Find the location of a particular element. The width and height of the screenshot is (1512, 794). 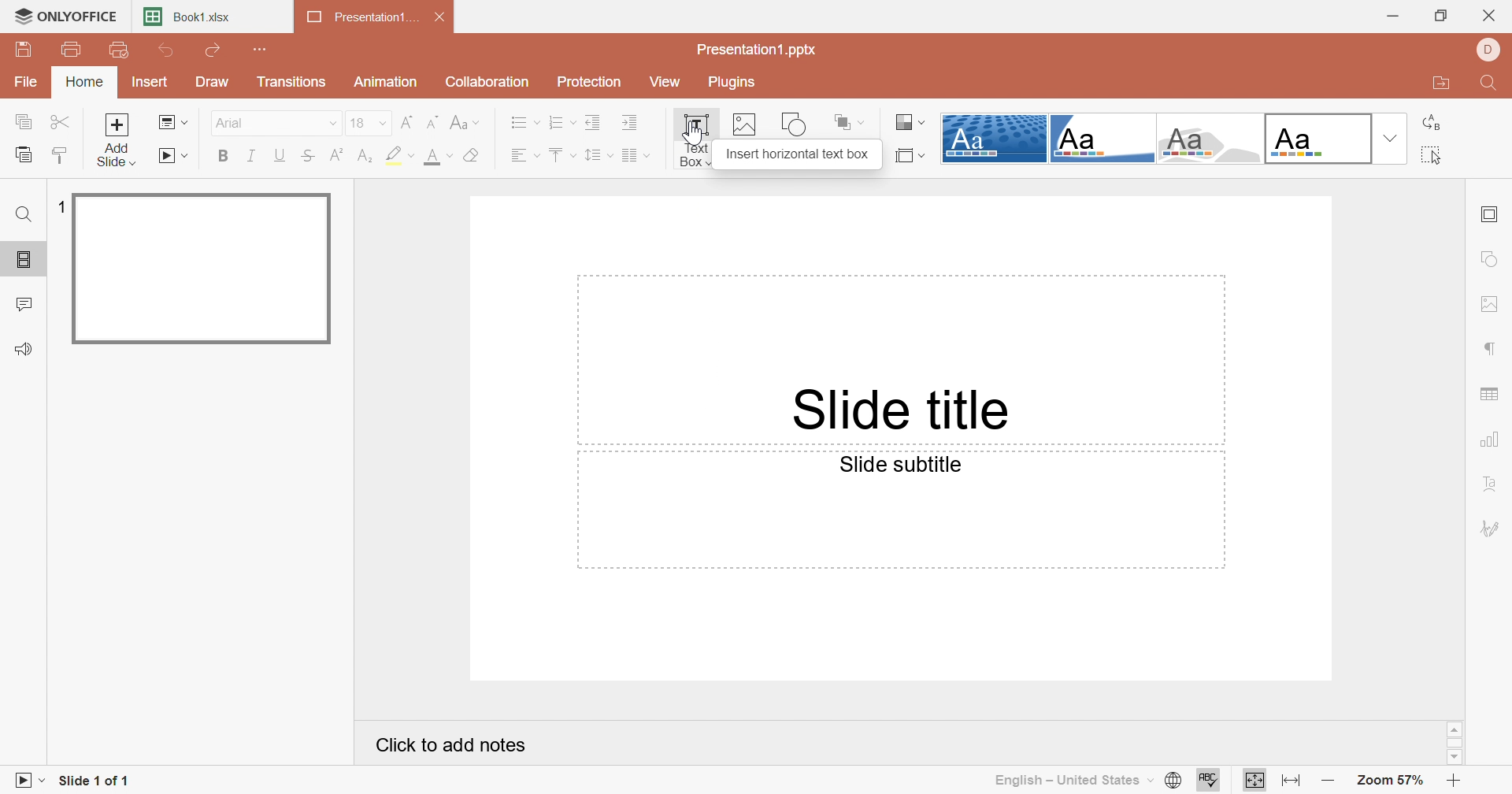

Paste is located at coordinates (22, 154).